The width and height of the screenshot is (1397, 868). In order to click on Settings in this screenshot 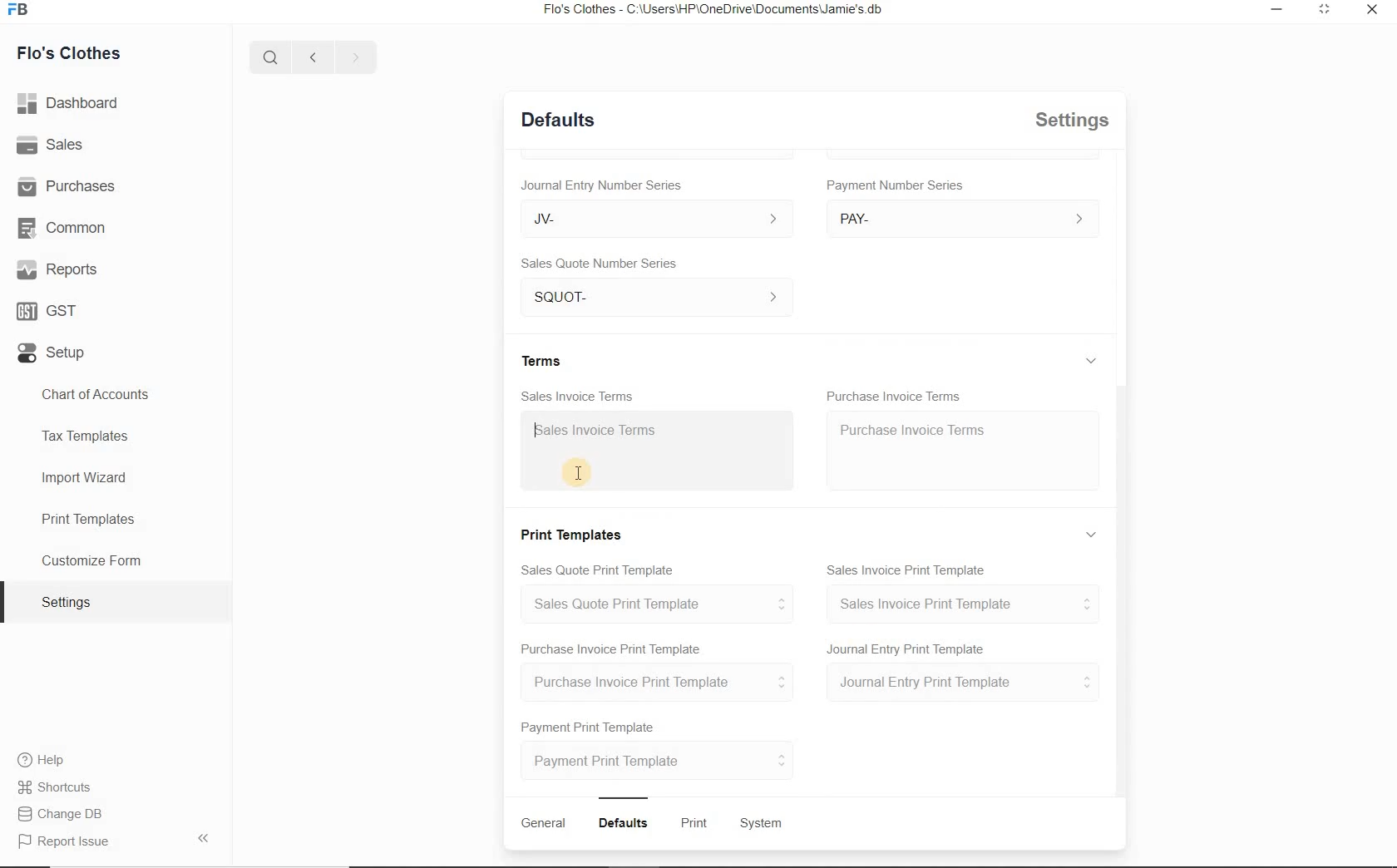, I will do `click(1070, 120)`.